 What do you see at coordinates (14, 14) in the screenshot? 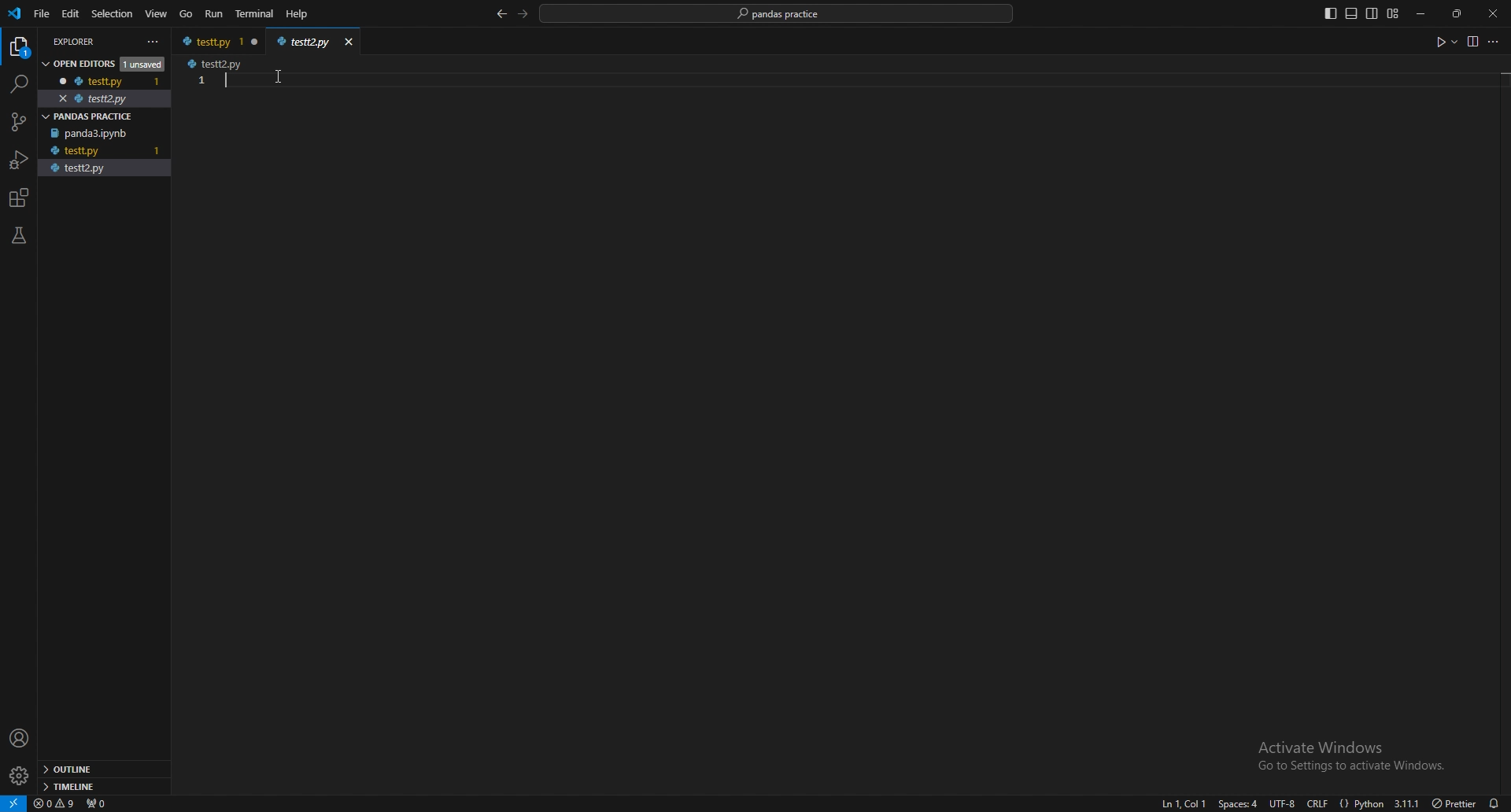
I see `vscode logo` at bounding box center [14, 14].